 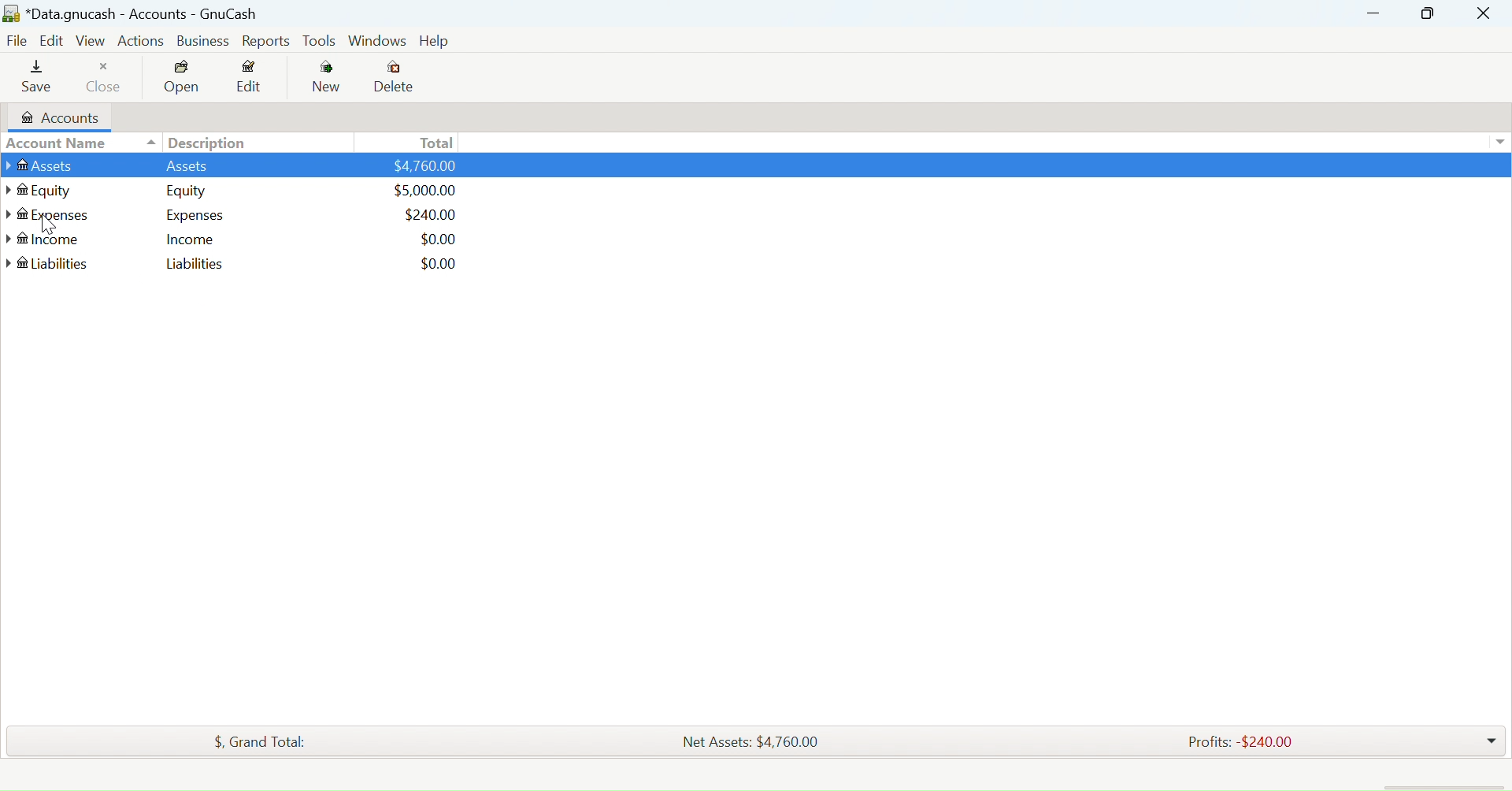 I want to click on Delete, so click(x=395, y=78).